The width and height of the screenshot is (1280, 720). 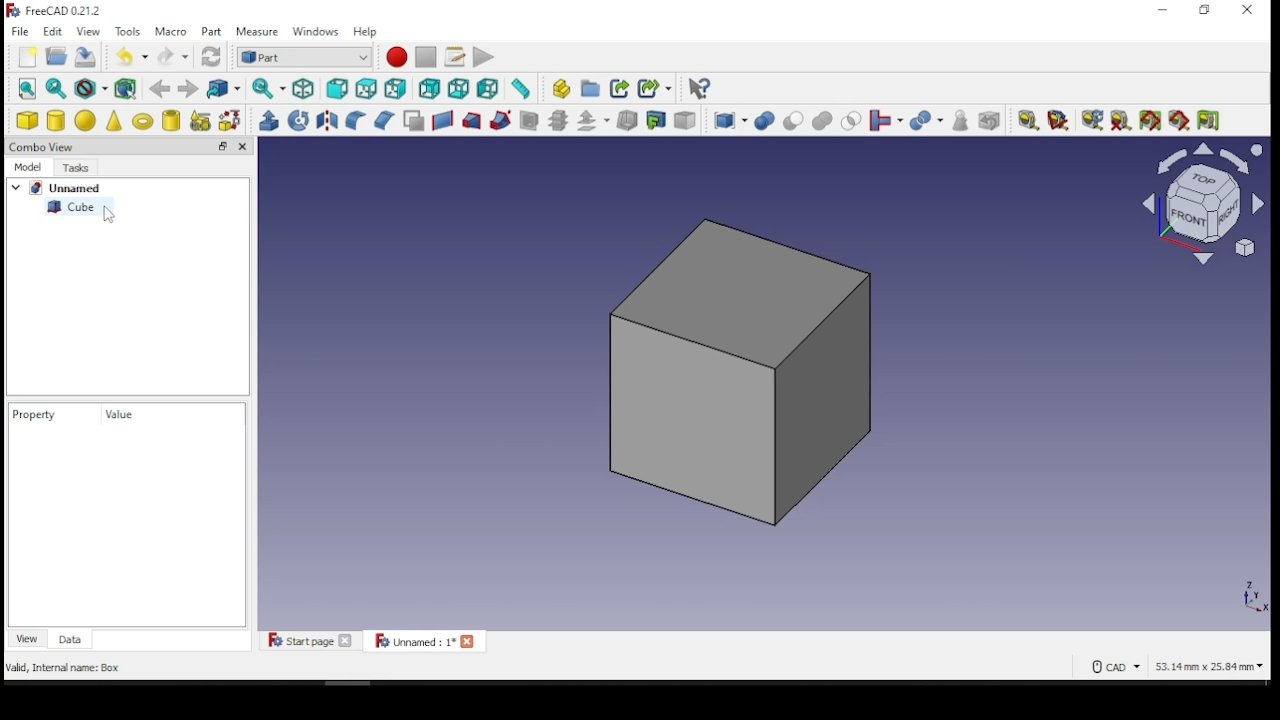 I want to click on close pane, so click(x=242, y=146).